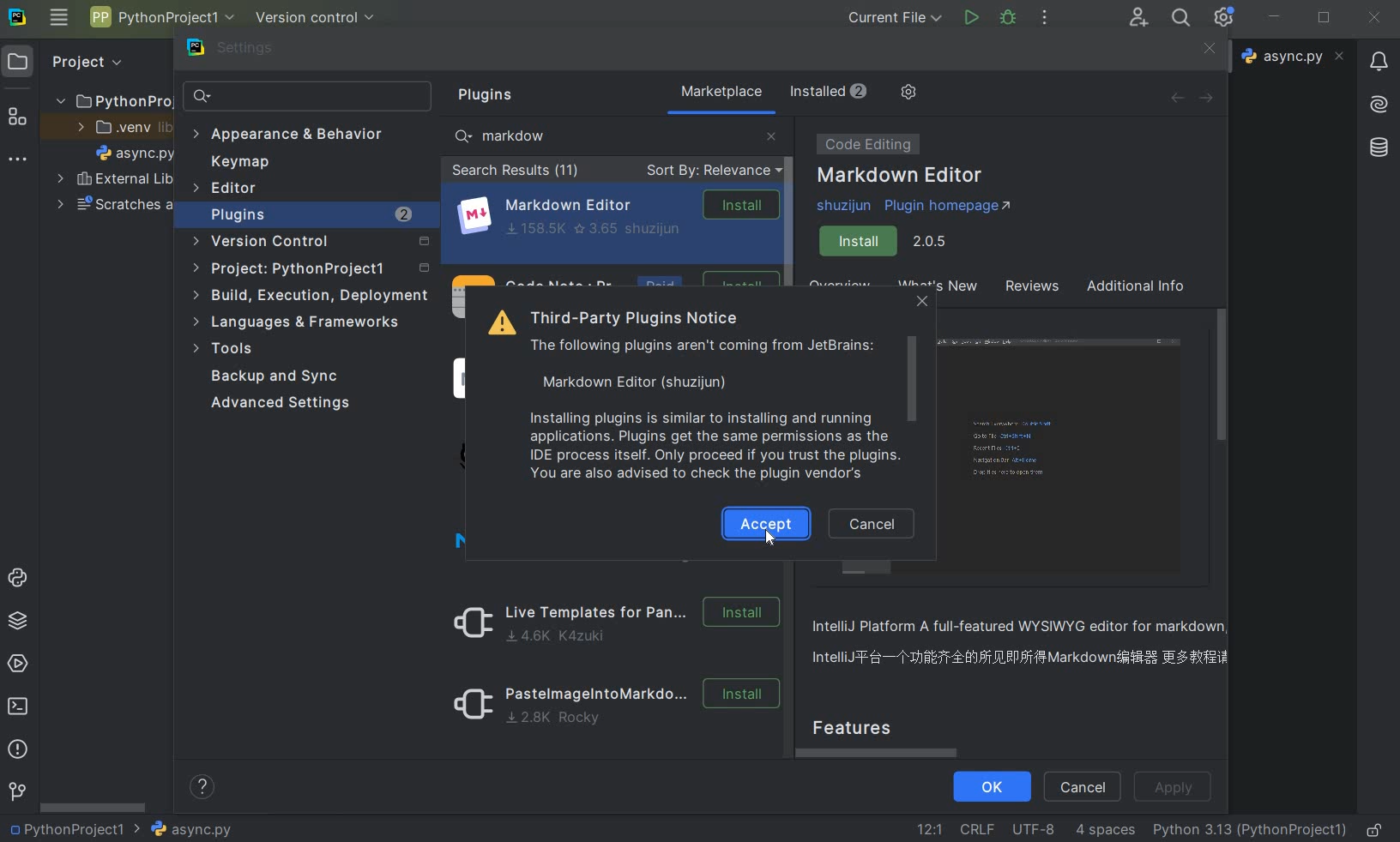  What do you see at coordinates (1211, 98) in the screenshot?
I see `forward` at bounding box center [1211, 98].